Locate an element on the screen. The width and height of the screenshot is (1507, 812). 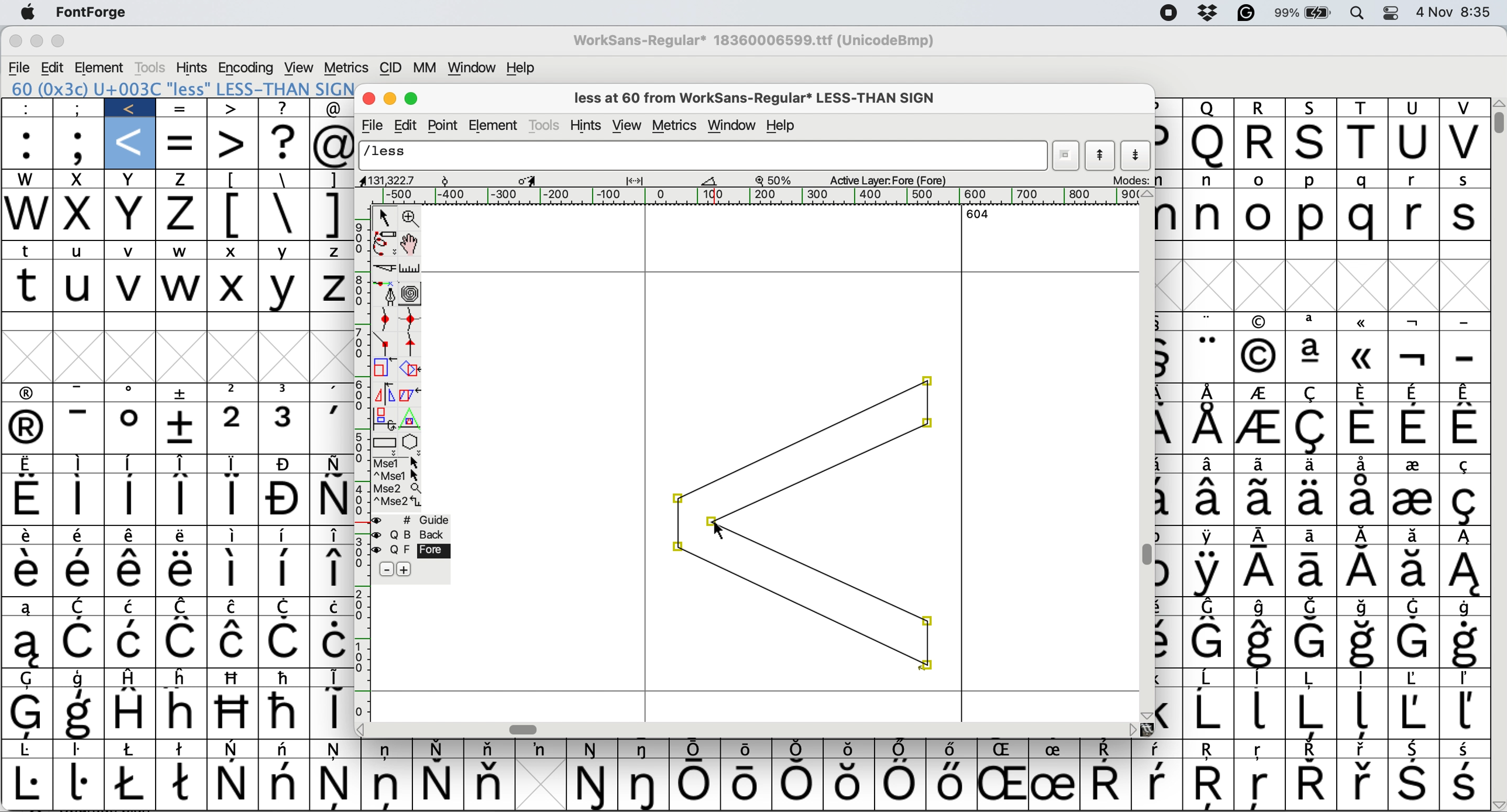
minimise is located at coordinates (391, 101).